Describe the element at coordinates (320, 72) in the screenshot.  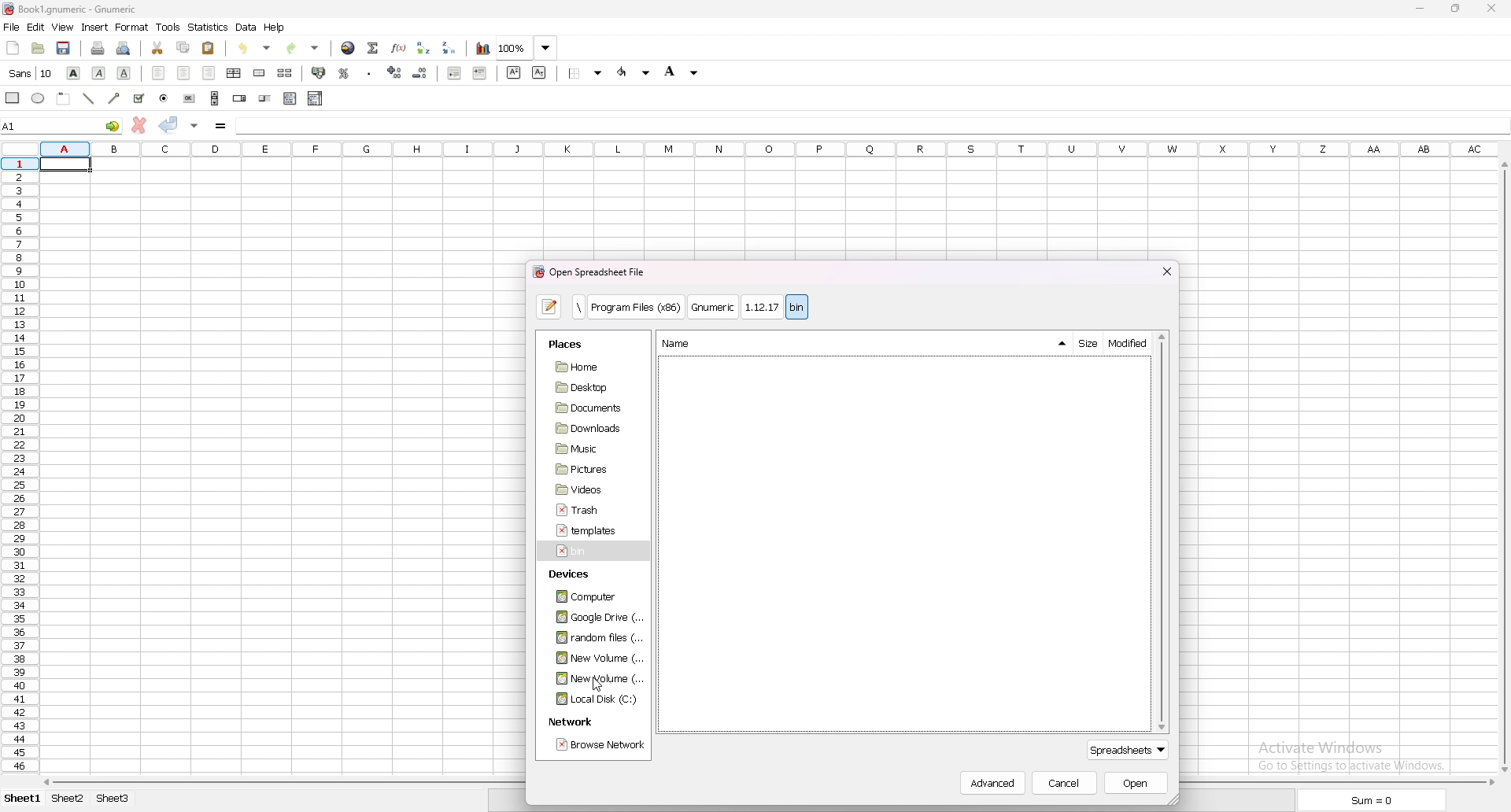
I see `accounting` at that location.